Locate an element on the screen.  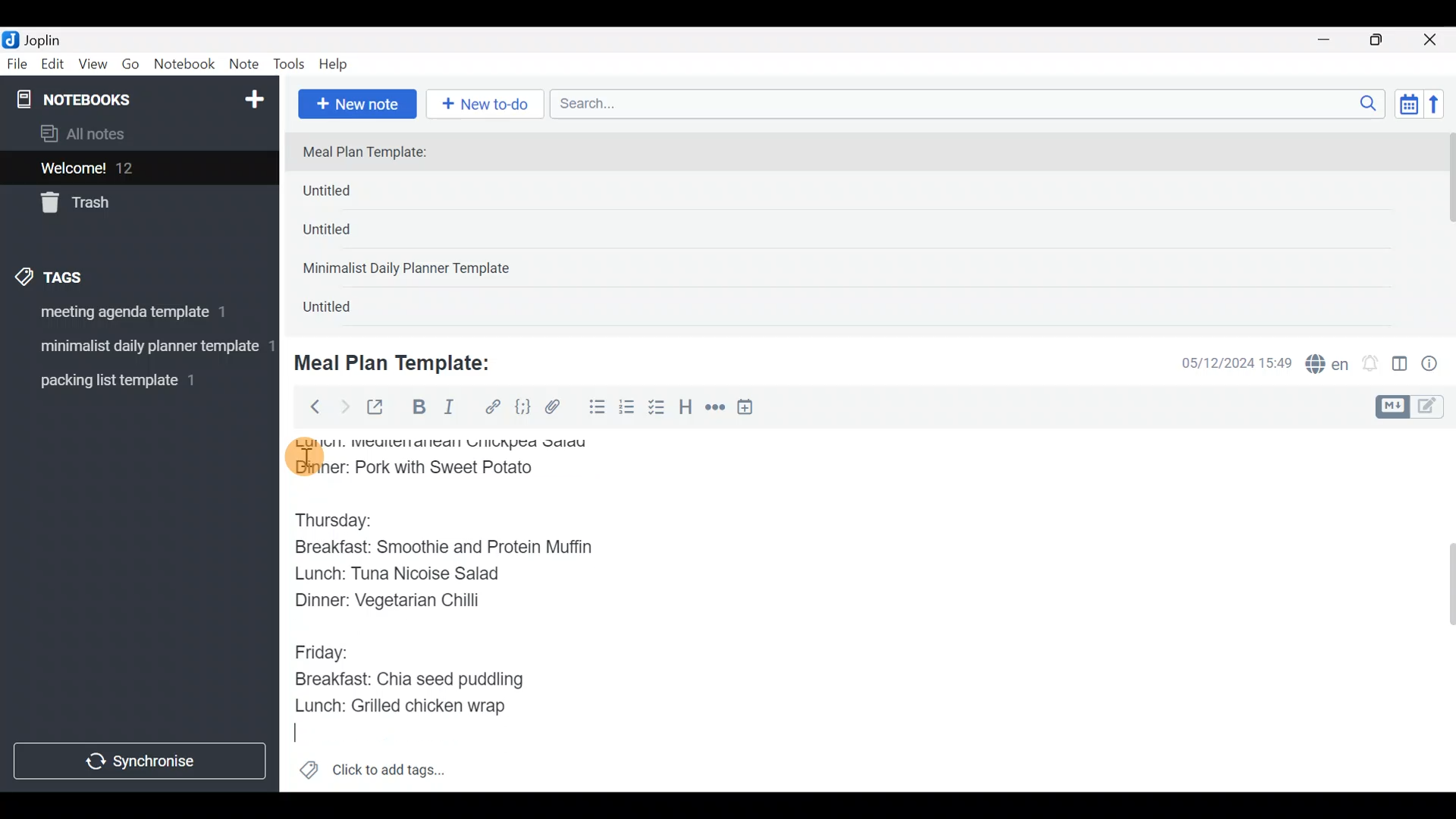
Notebook is located at coordinates (185, 64).